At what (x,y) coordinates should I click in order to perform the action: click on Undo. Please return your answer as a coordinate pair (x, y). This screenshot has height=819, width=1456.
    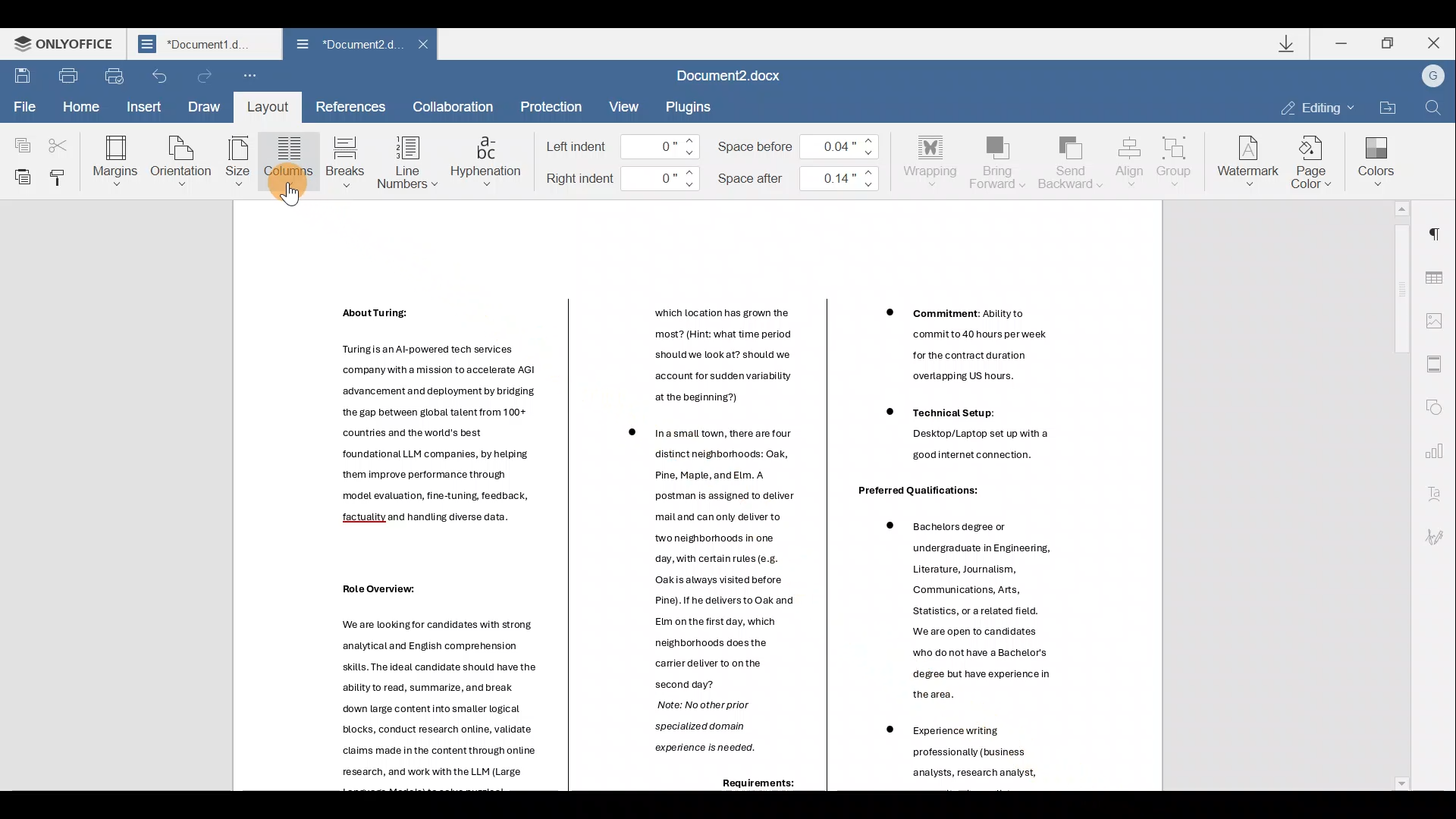
    Looking at the image, I should click on (159, 76).